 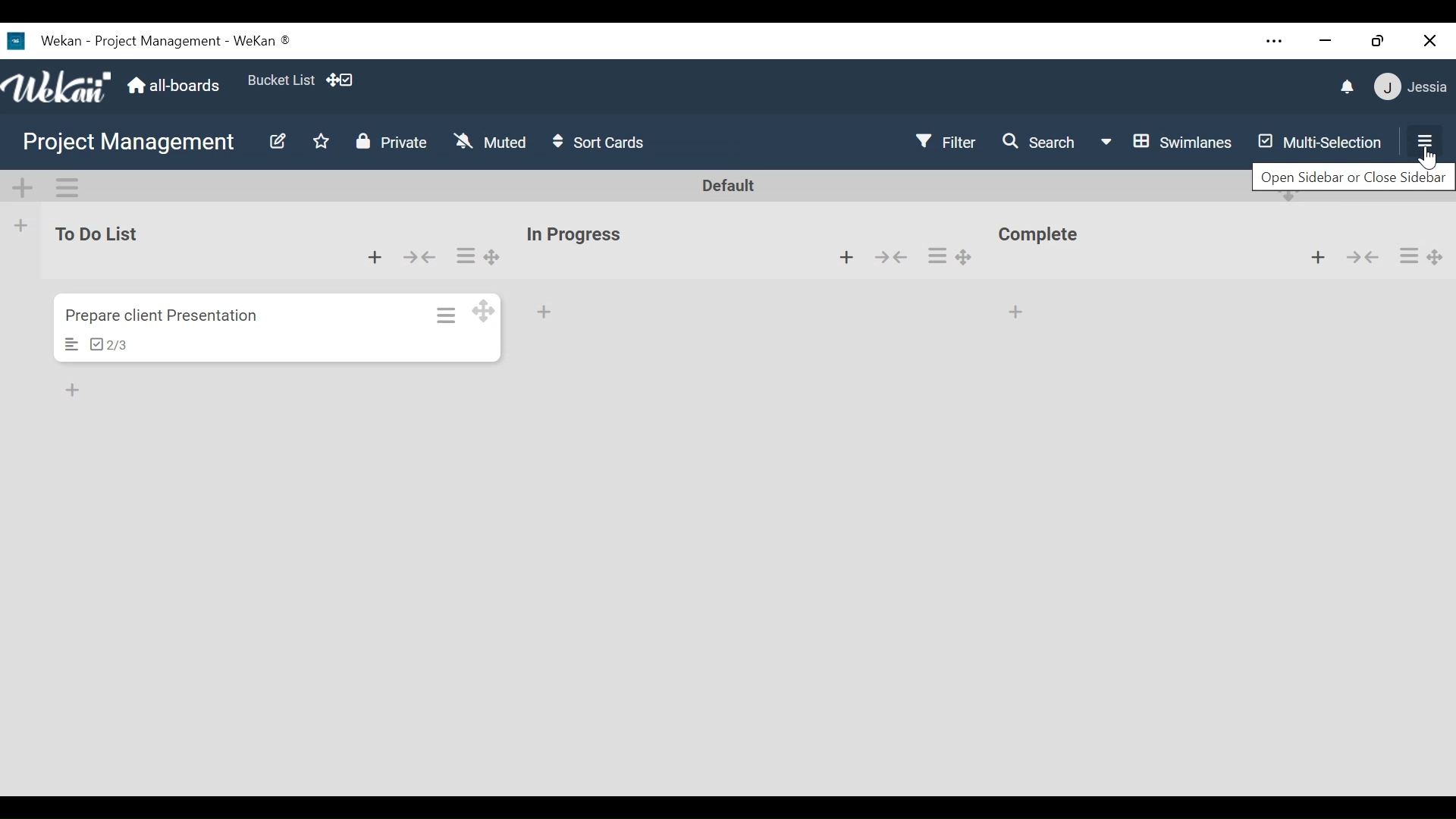 What do you see at coordinates (1316, 144) in the screenshot?
I see `multi selection` at bounding box center [1316, 144].